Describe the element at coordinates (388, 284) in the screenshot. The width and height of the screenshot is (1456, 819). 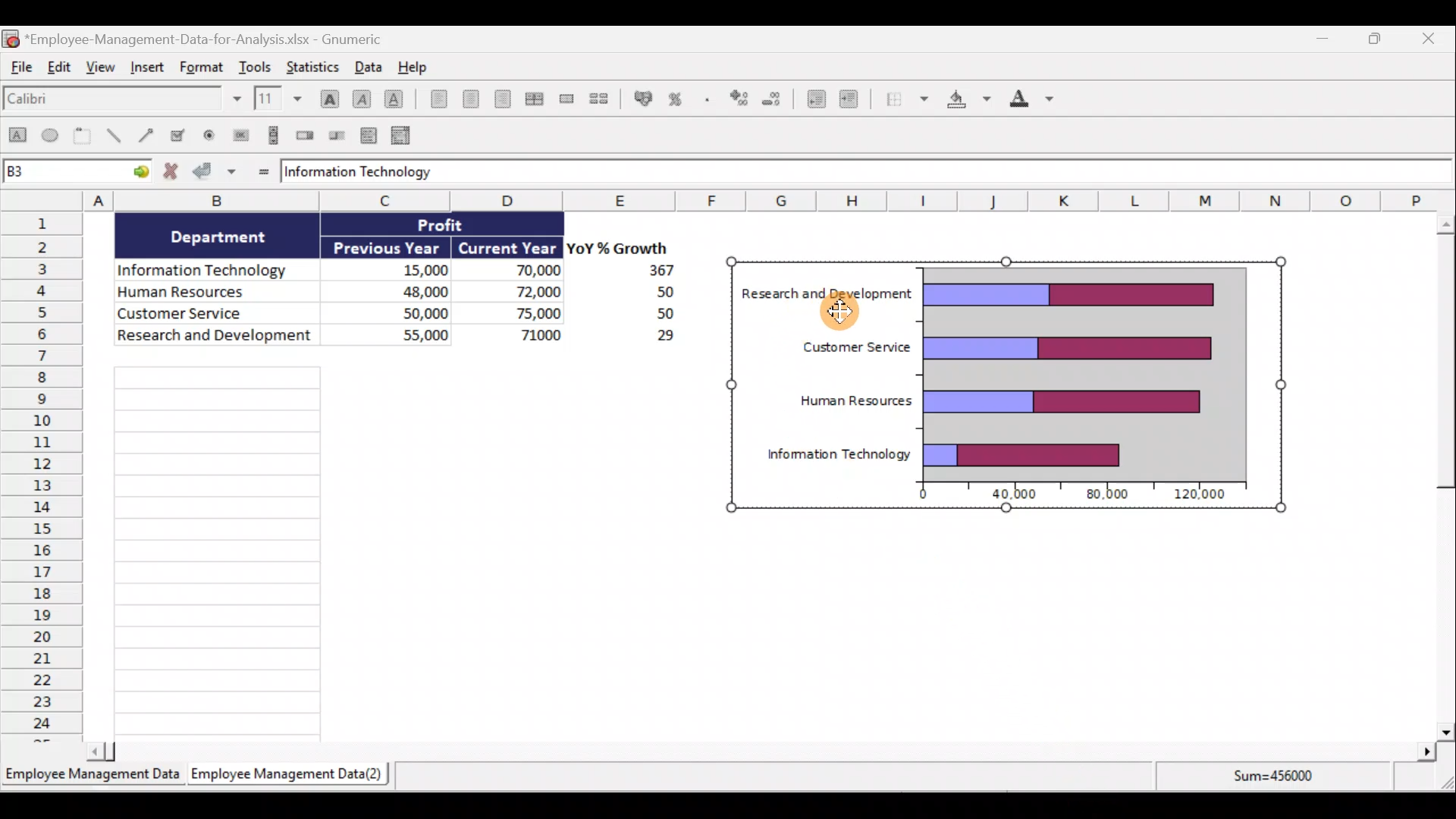
I see `Data` at that location.